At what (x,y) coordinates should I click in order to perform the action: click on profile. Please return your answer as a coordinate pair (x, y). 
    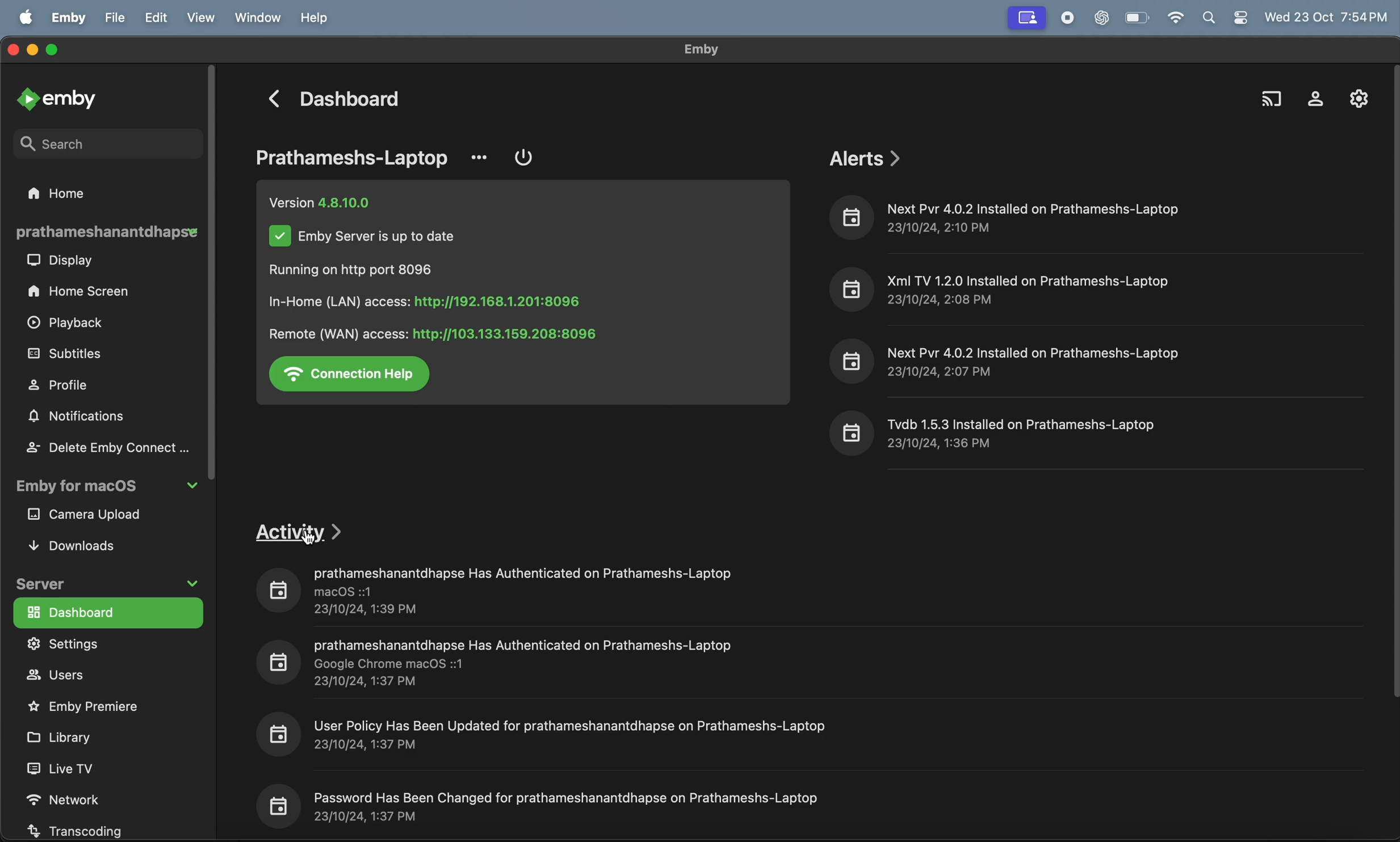
    Looking at the image, I should click on (1310, 96).